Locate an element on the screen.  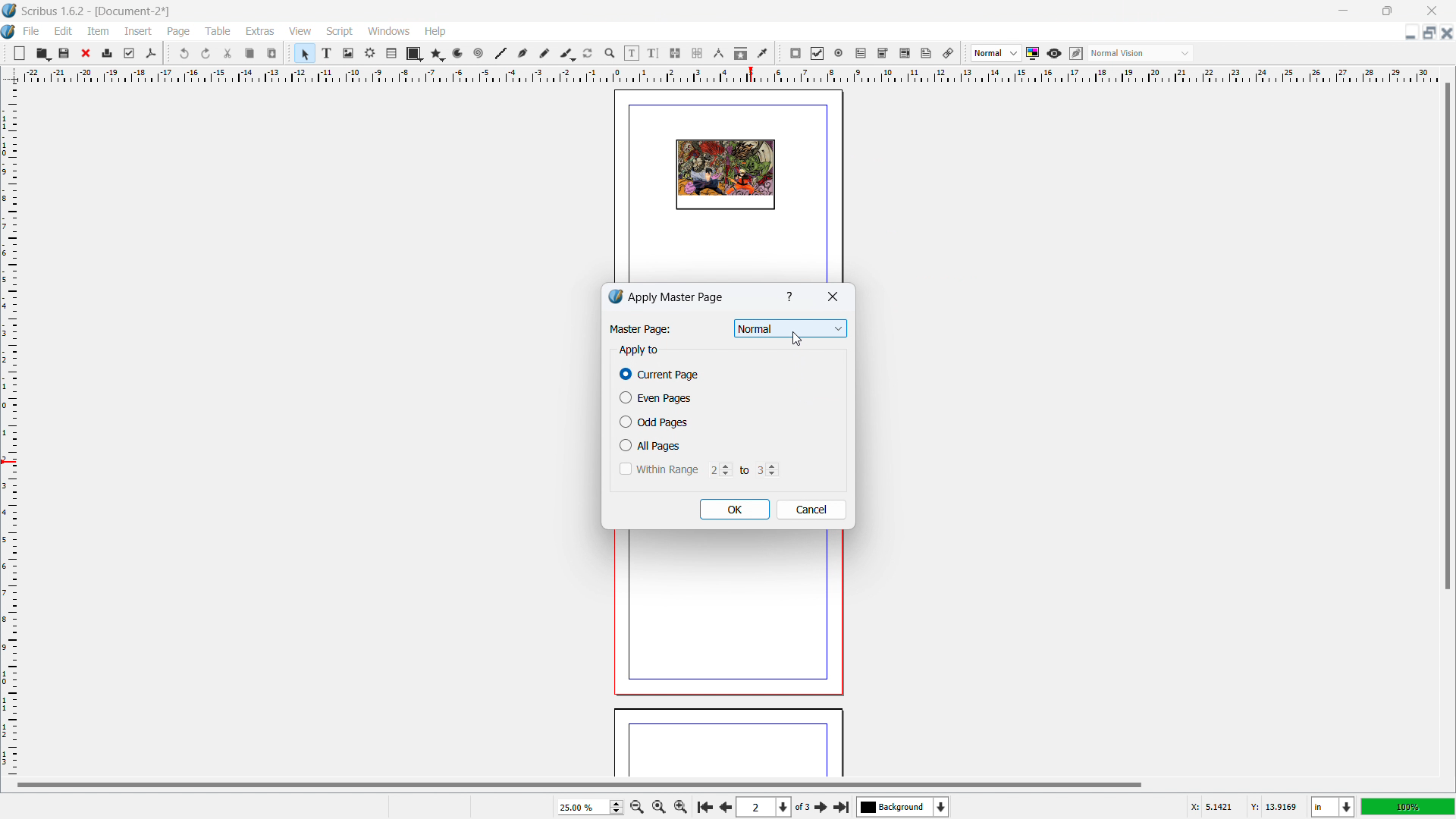
preview mode is located at coordinates (1054, 54).